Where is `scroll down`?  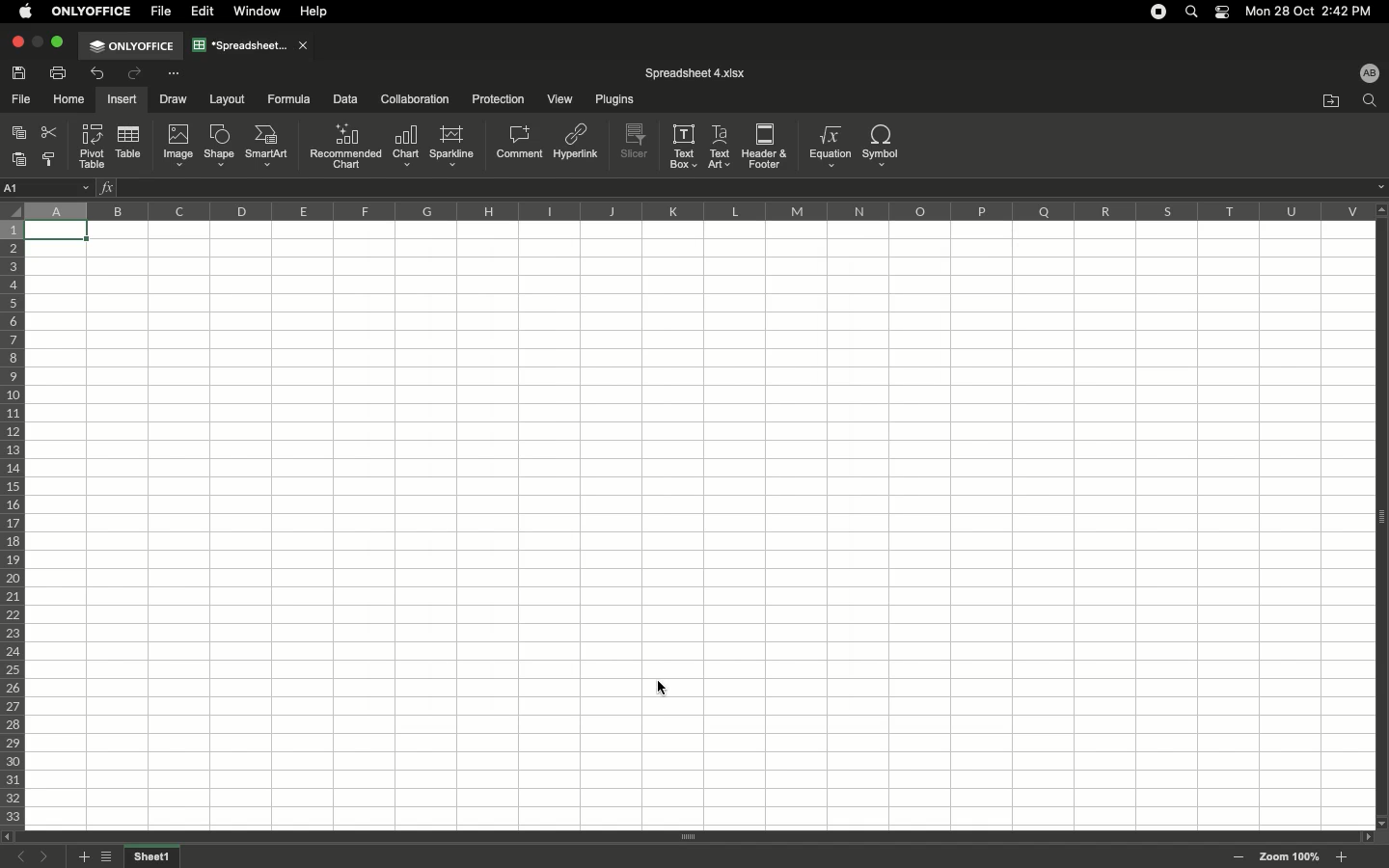 scroll down is located at coordinates (1380, 822).